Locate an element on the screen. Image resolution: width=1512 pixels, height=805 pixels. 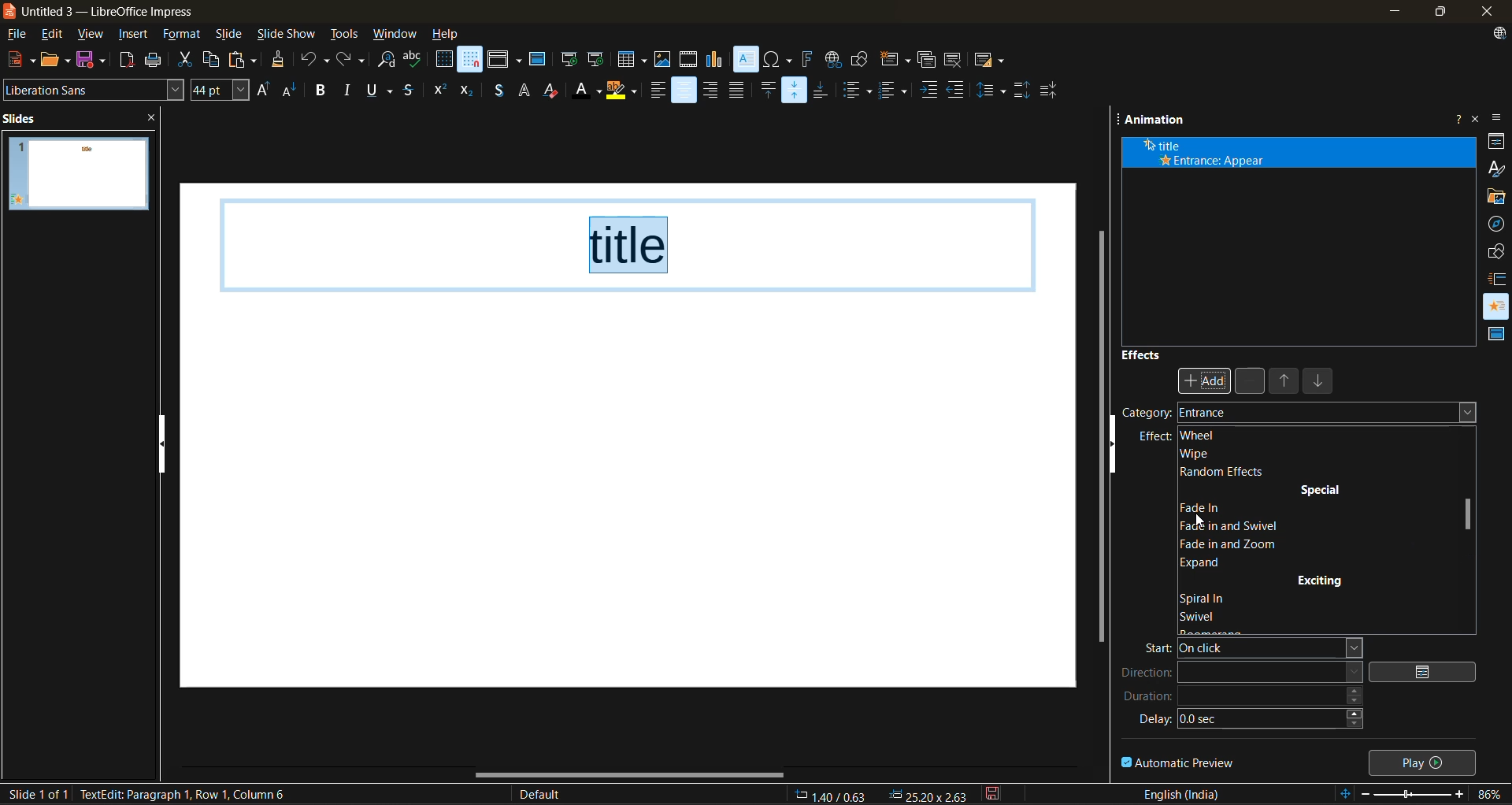
expand is located at coordinates (1206, 562).